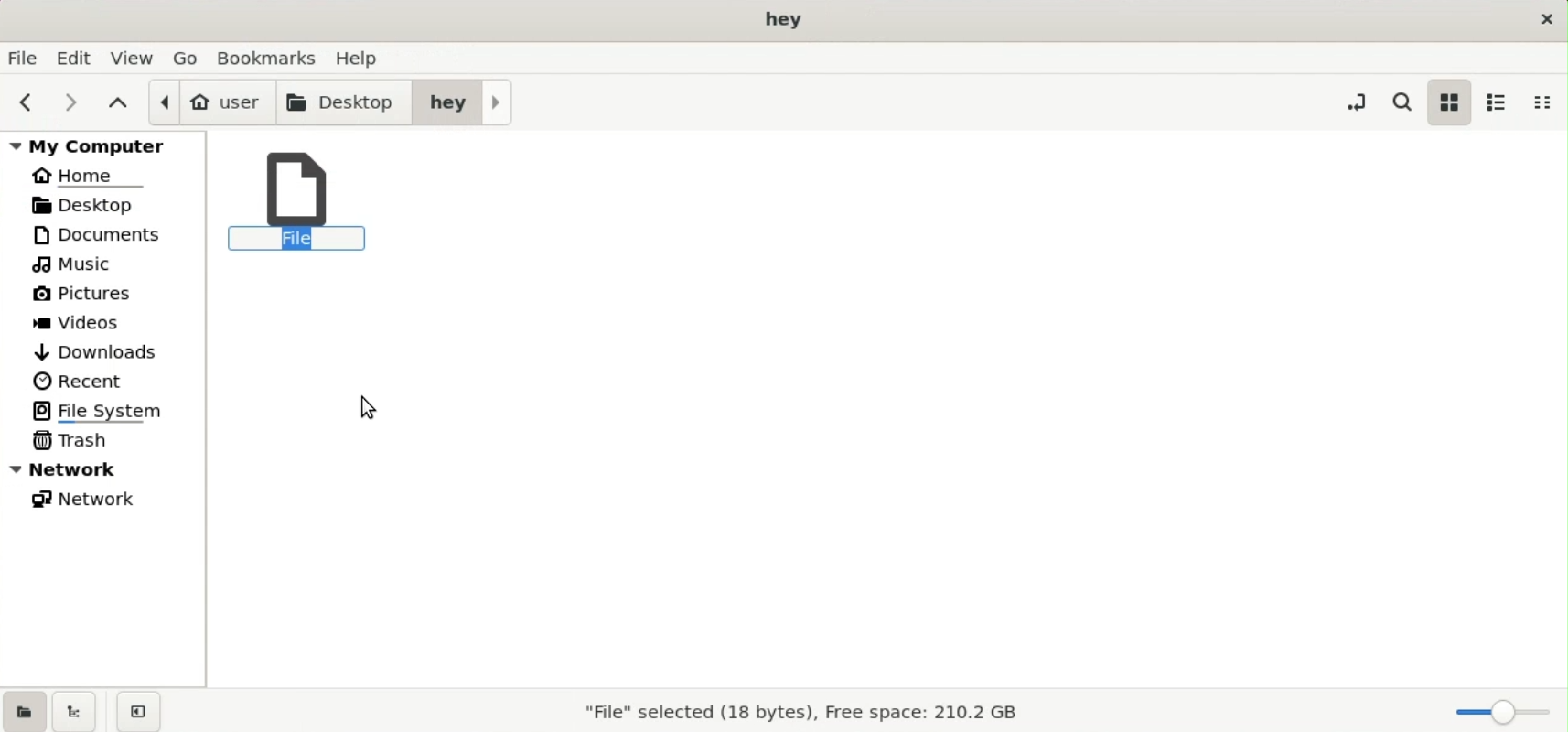 This screenshot has height=732, width=1568. I want to click on next, so click(65, 102).